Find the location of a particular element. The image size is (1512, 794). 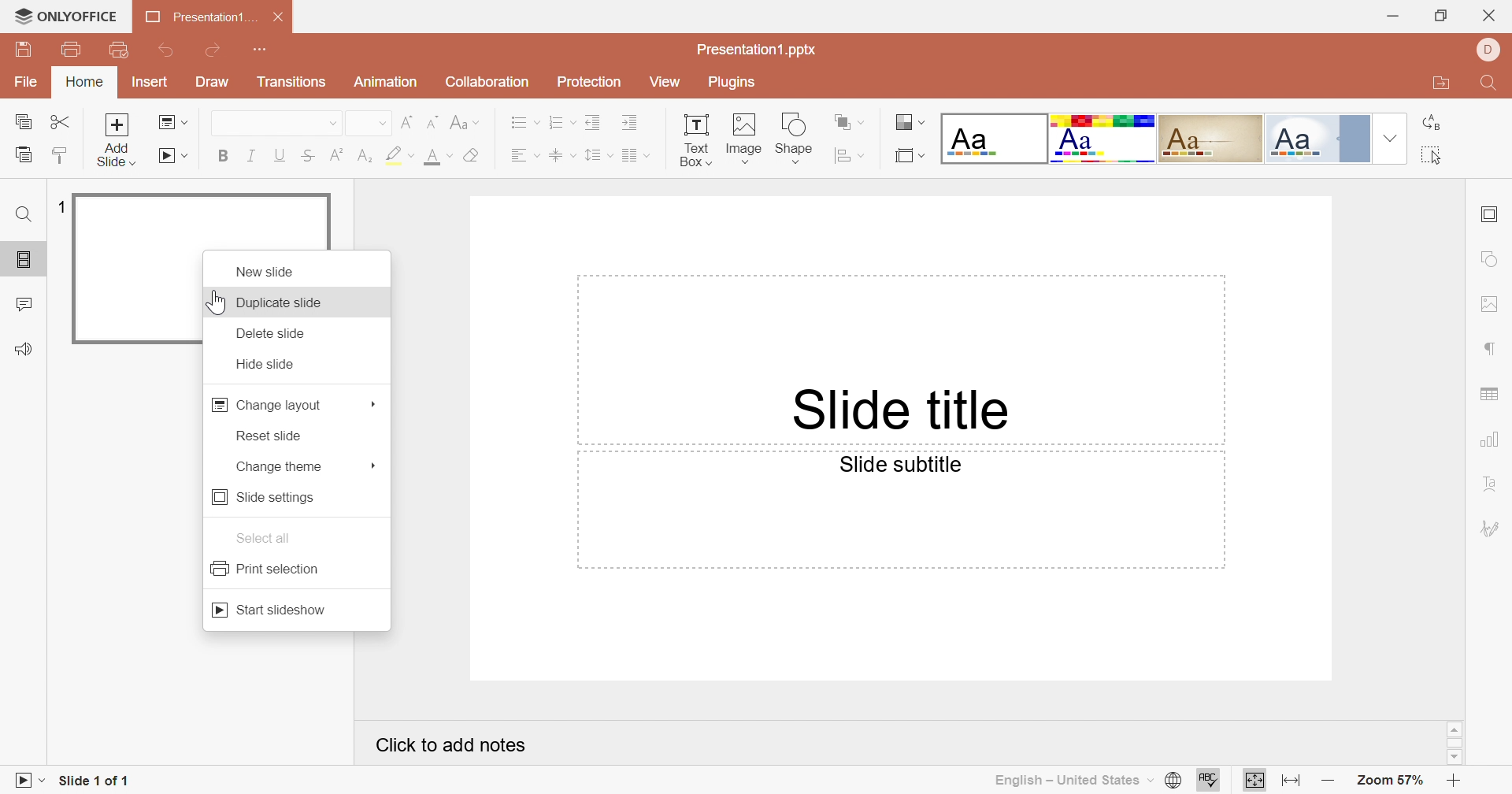

Select all is located at coordinates (264, 537).